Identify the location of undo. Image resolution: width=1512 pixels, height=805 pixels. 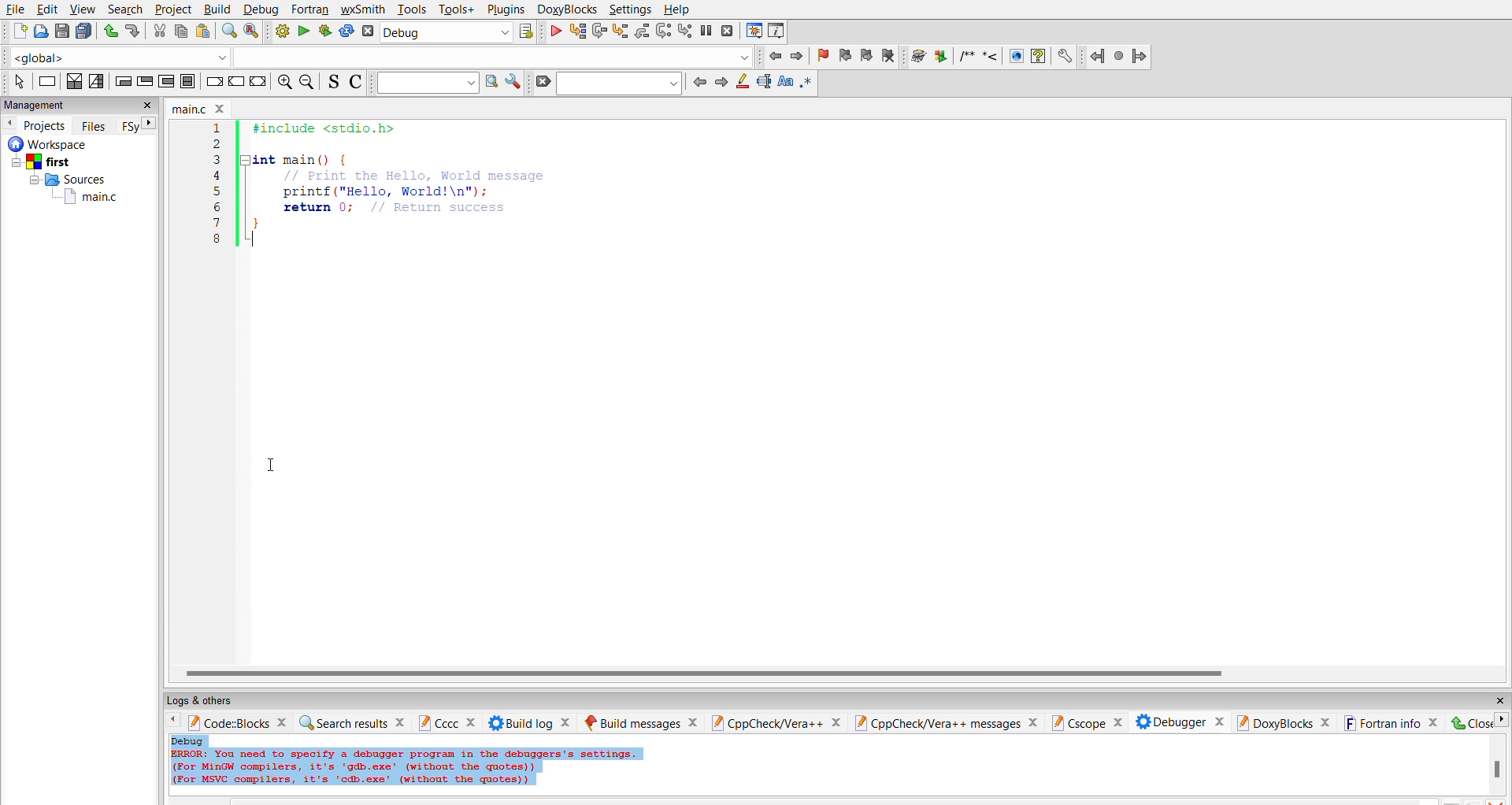
(108, 32).